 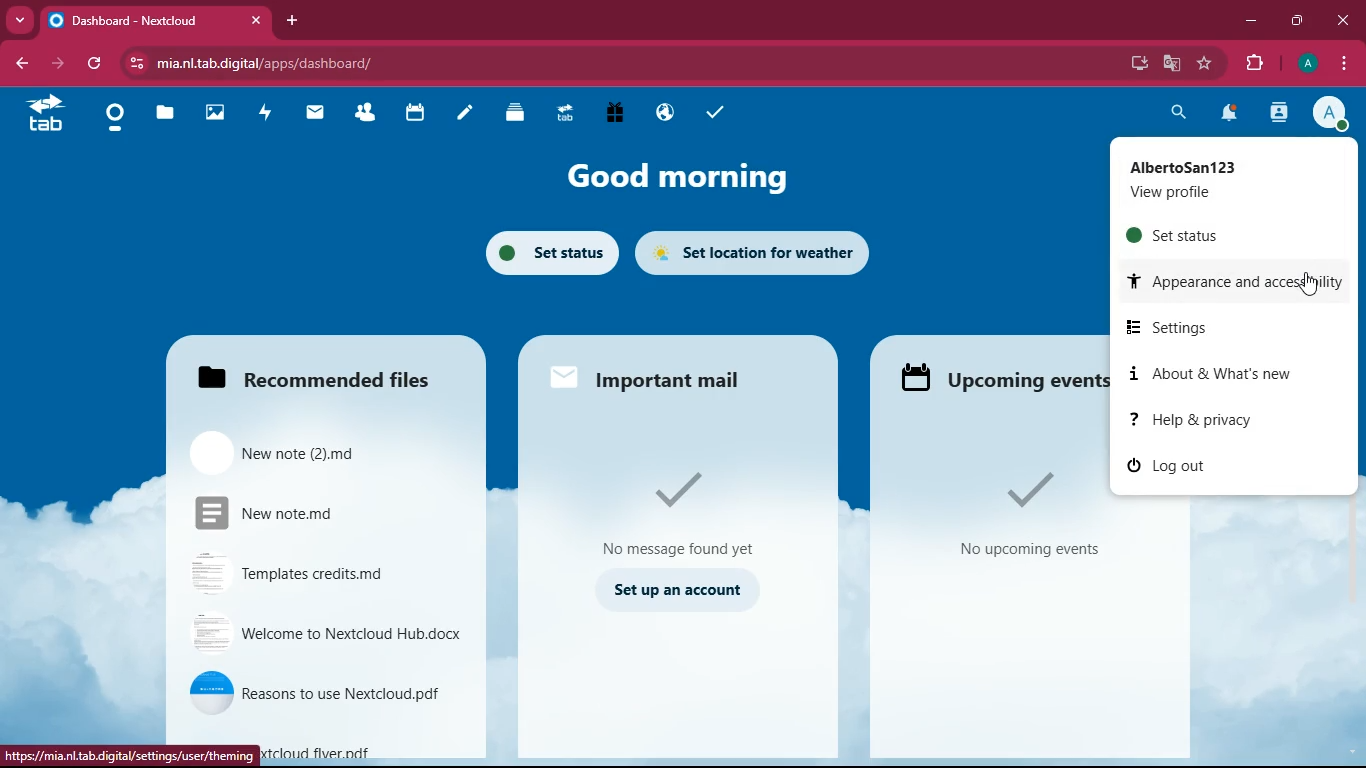 I want to click on tasks, so click(x=713, y=116).